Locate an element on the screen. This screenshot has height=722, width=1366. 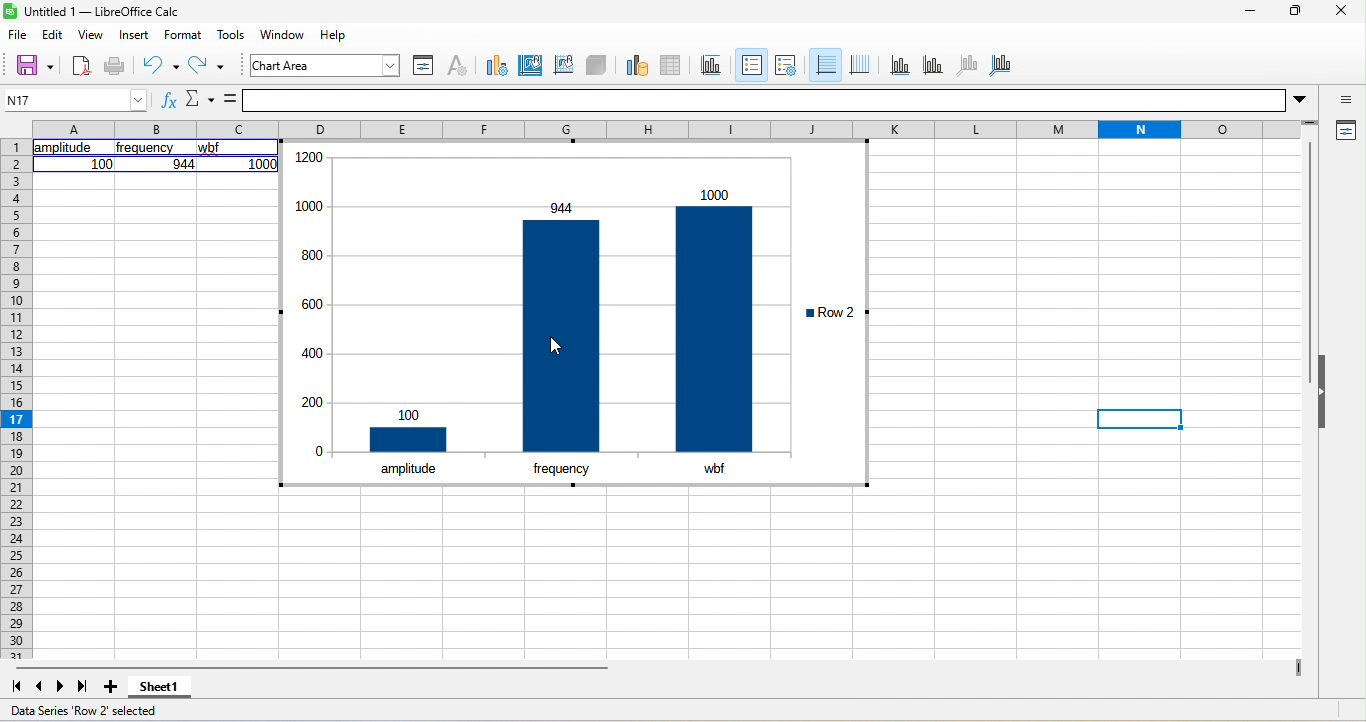
close is located at coordinates (1337, 13).